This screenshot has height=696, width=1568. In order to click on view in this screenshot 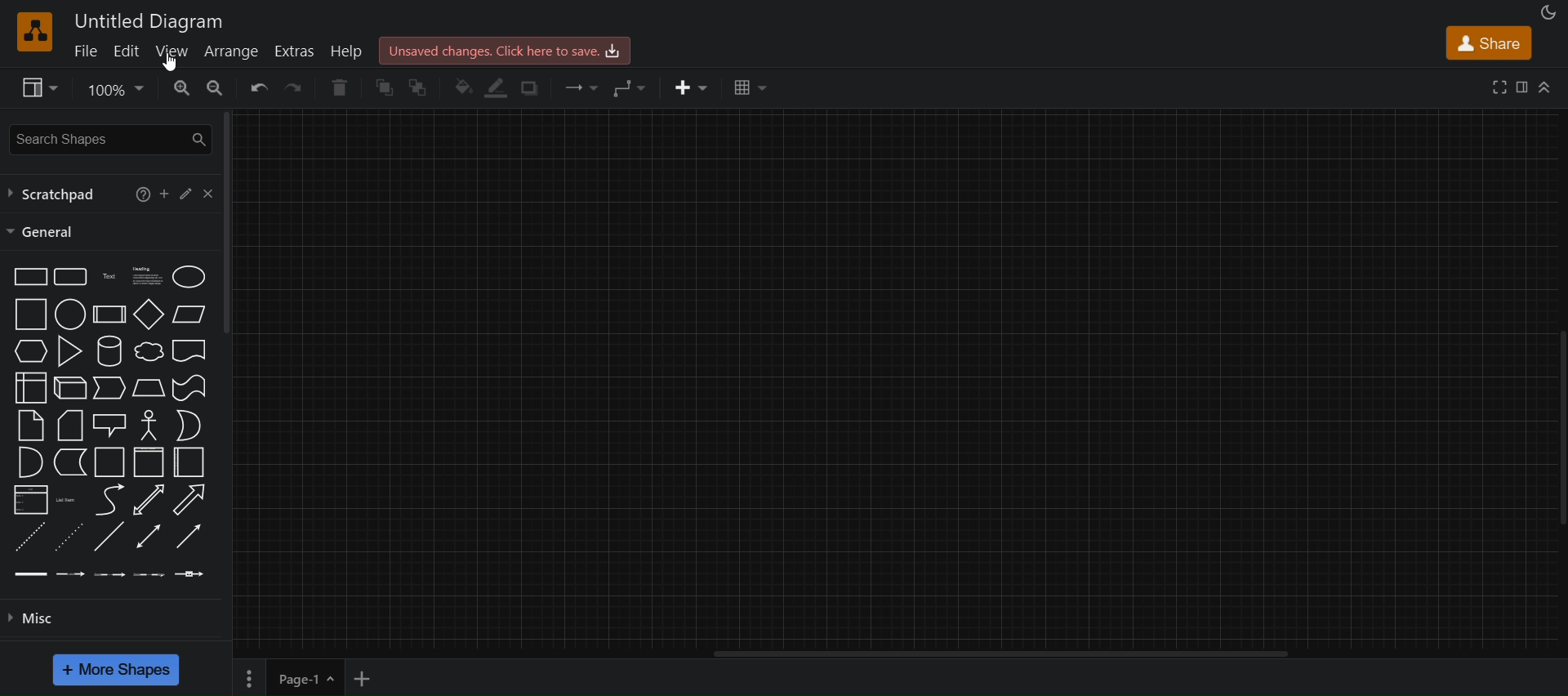, I will do `click(171, 51)`.